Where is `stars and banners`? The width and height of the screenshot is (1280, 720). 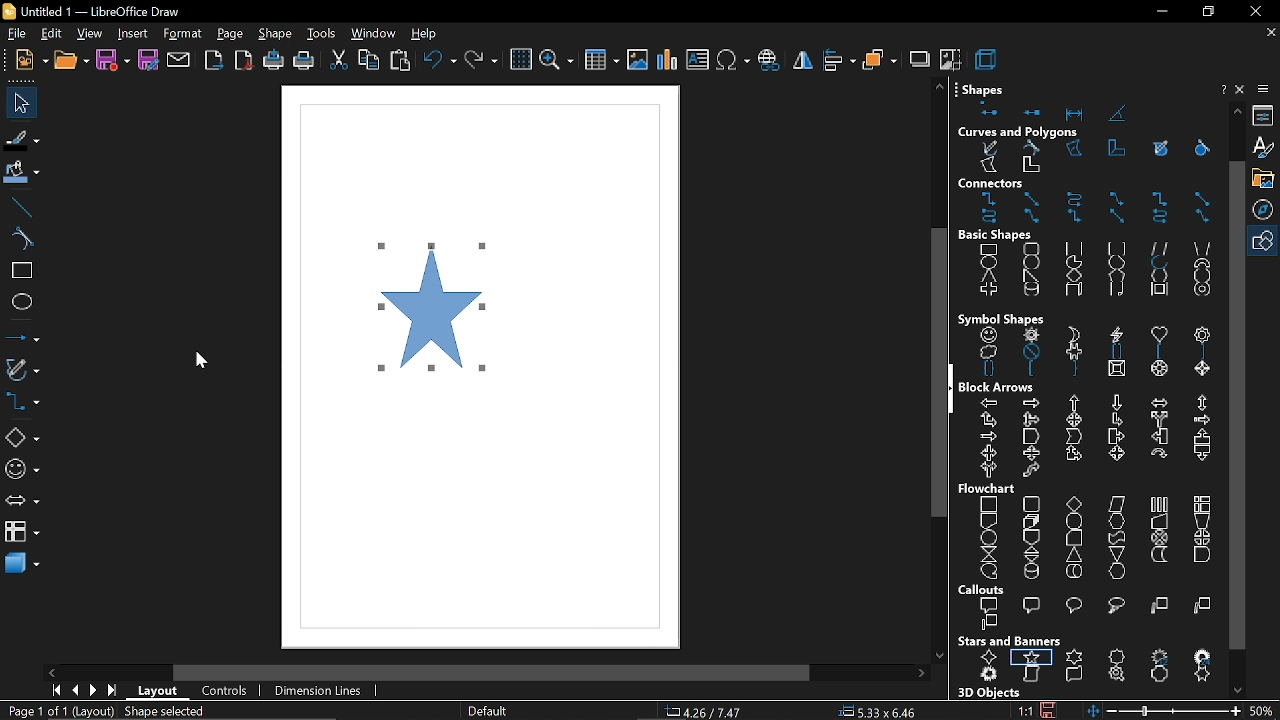
stars and banners is located at coordinates (1011, 641).